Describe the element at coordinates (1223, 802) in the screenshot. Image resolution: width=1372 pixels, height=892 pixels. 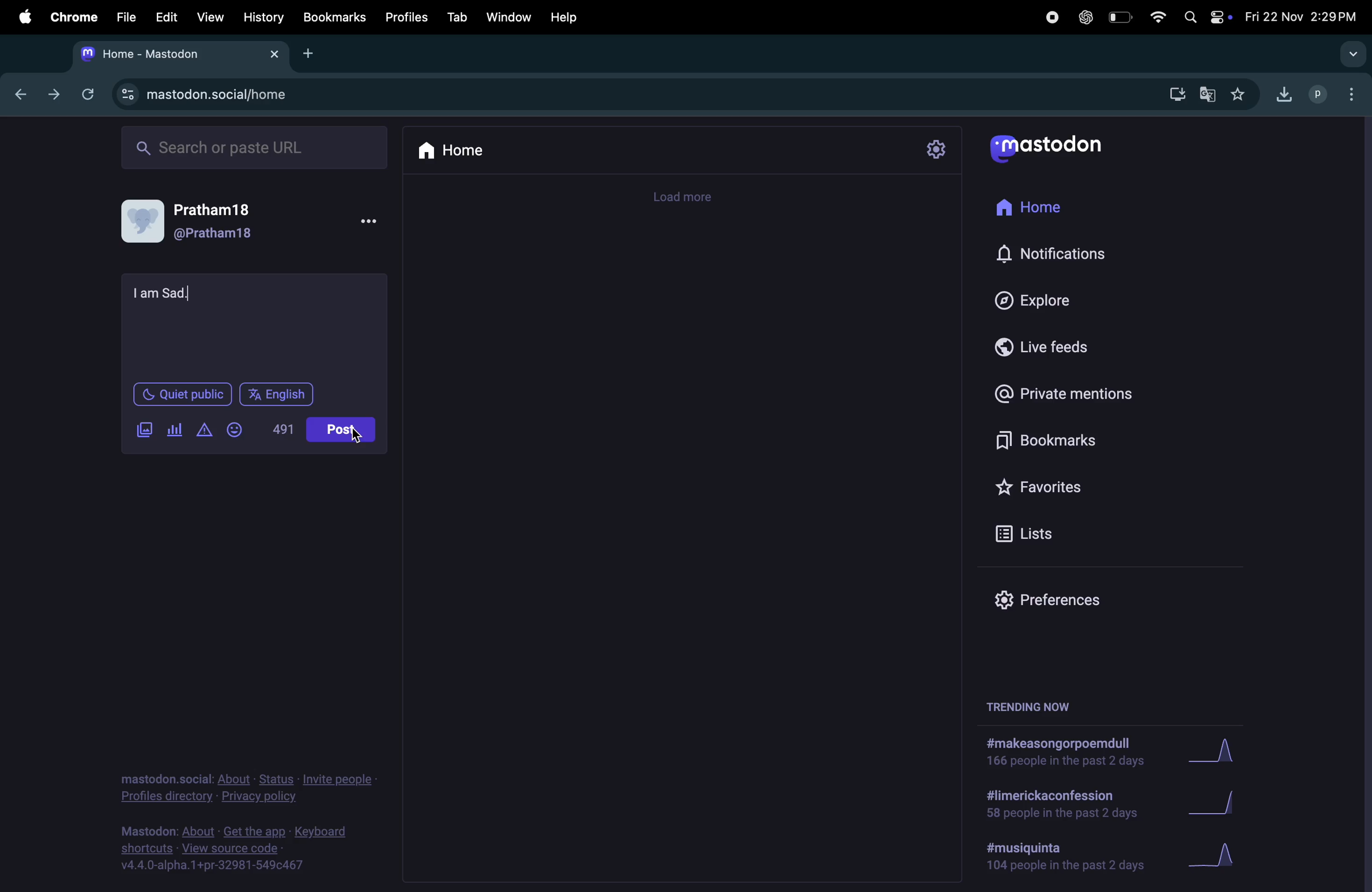
I see `graphs` at that location.